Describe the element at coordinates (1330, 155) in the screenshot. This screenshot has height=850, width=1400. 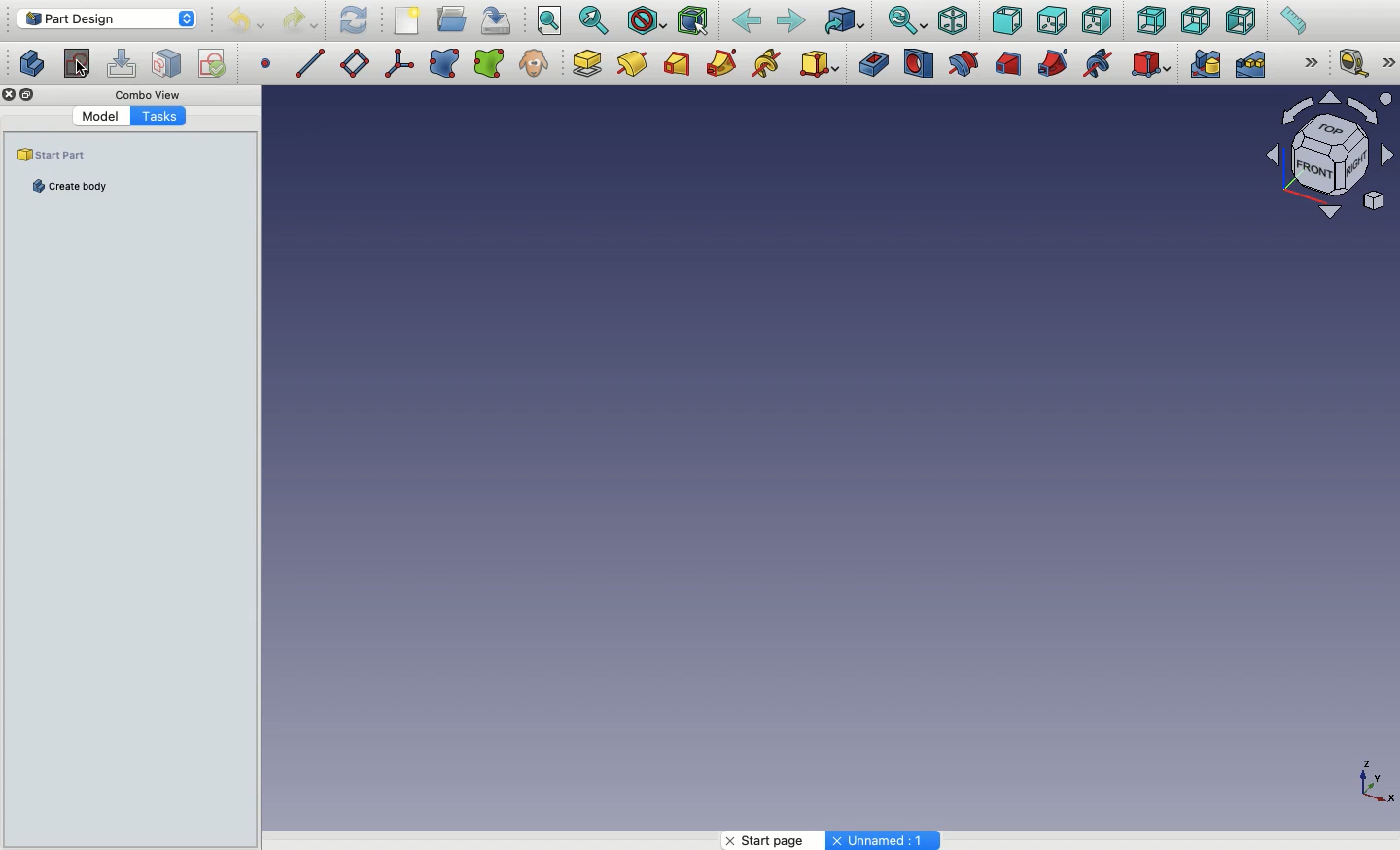
I see `Navigator` at that location.